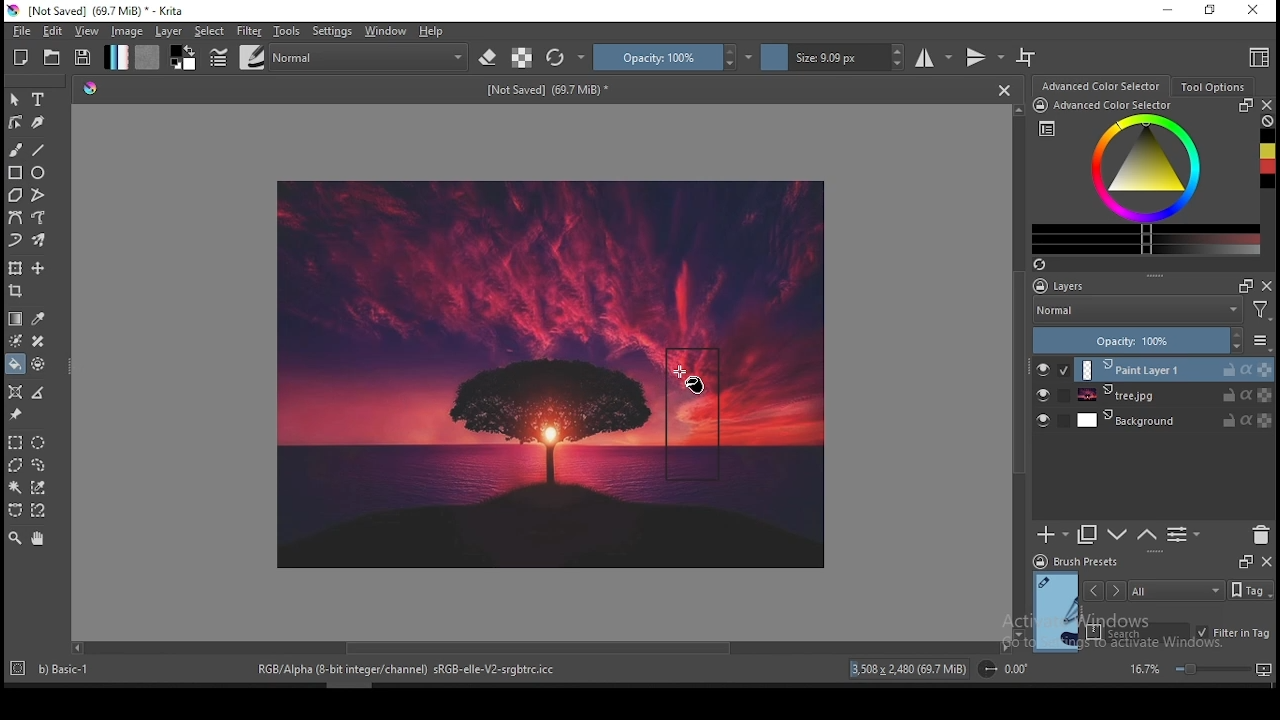  I want to click on tool options, so click(1211, 86).